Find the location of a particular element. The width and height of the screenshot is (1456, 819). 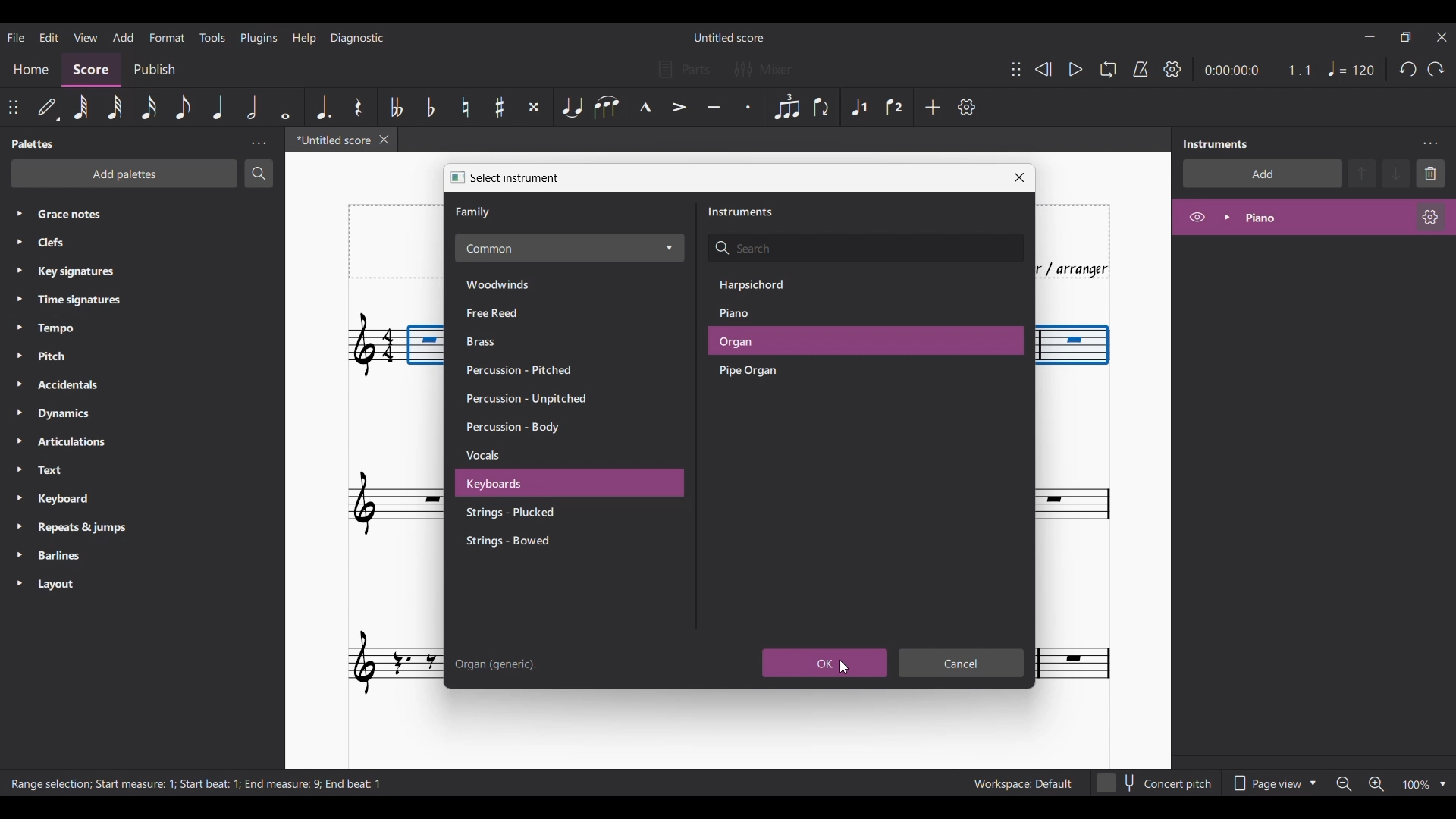

Ratio and duration of current note in score is located at coordinates (1257, 70).